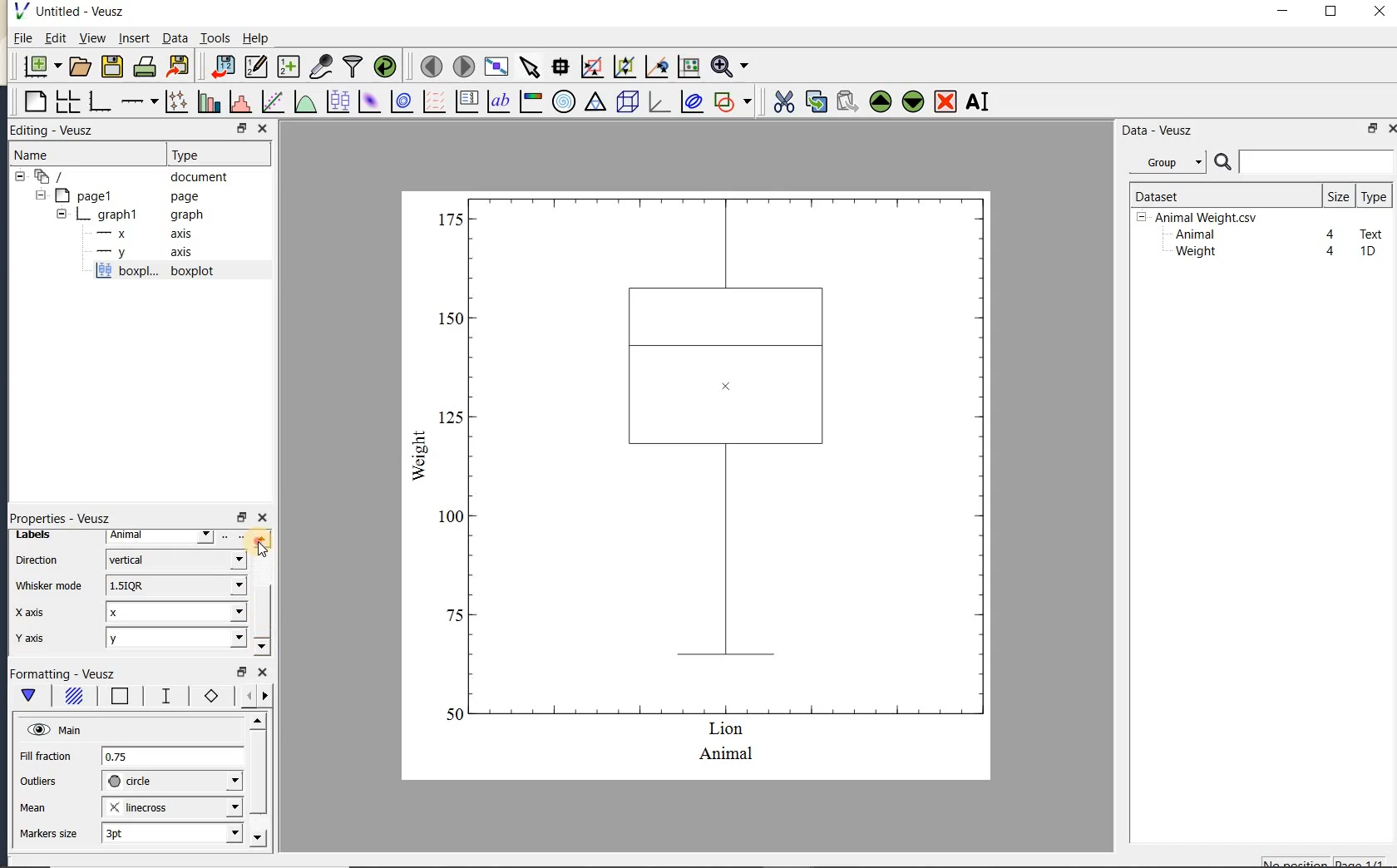  What do you see at coordinates (1338, 195) in the screenshot?
I see `size` at bounding box center [1338, 195].